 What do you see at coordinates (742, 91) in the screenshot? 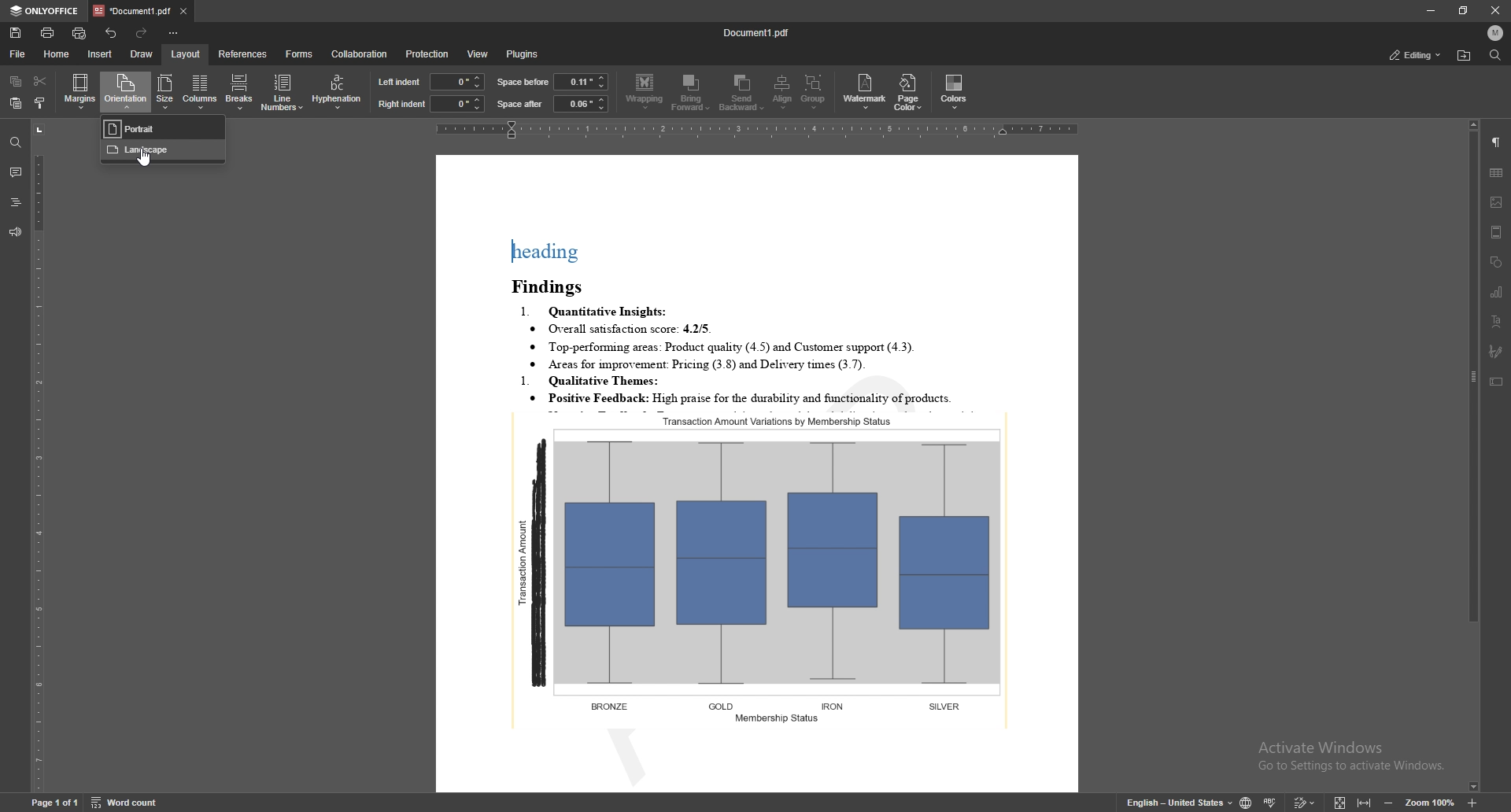
I see `send backward` at bounding box center [742, 91].